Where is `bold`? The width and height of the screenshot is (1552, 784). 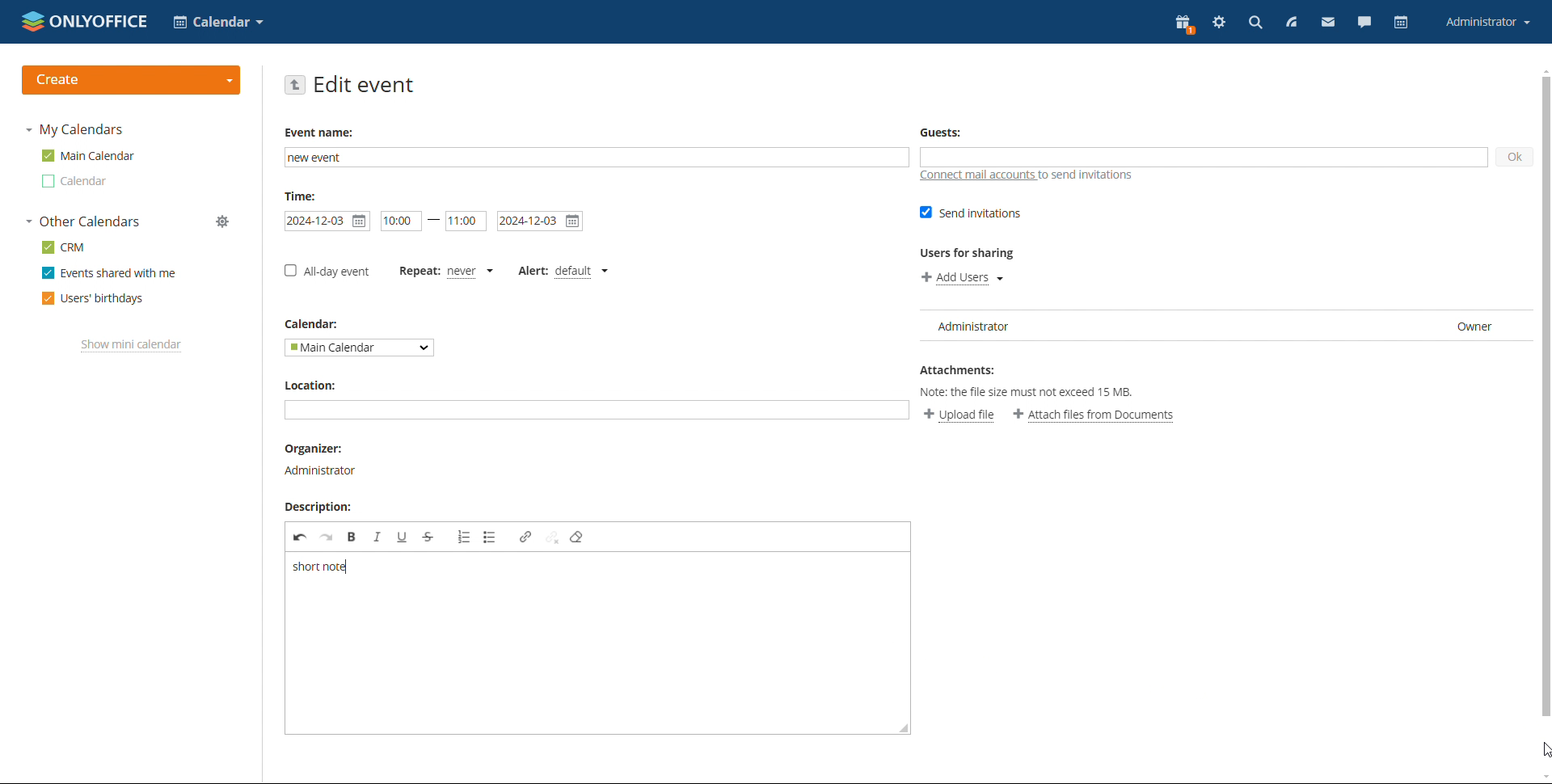
bold is located at coordinates (352, 536).